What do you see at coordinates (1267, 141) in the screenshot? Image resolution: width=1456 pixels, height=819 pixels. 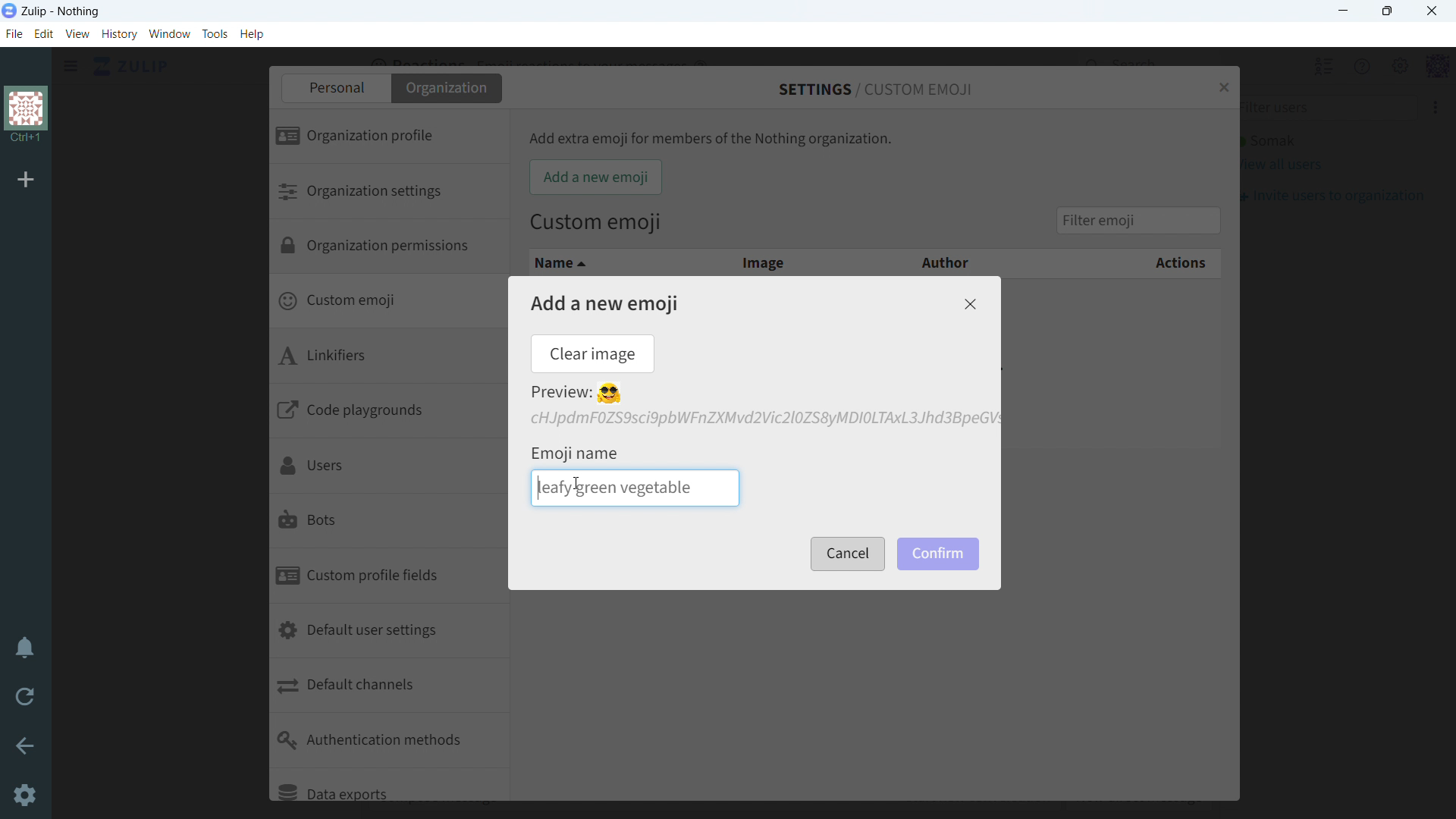 I see `active user` at bounding box center [1267, 141].